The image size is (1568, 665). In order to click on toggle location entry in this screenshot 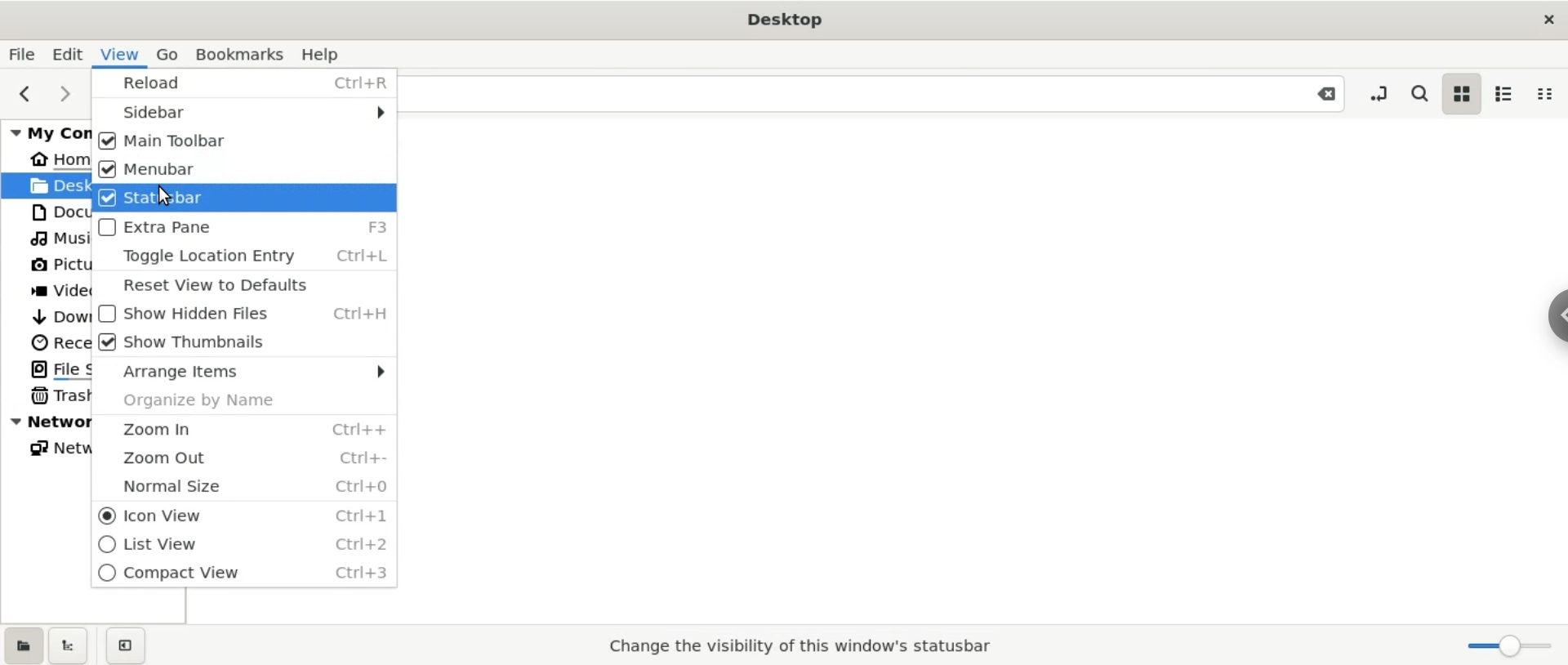, I will do `click(1377, 93)`.